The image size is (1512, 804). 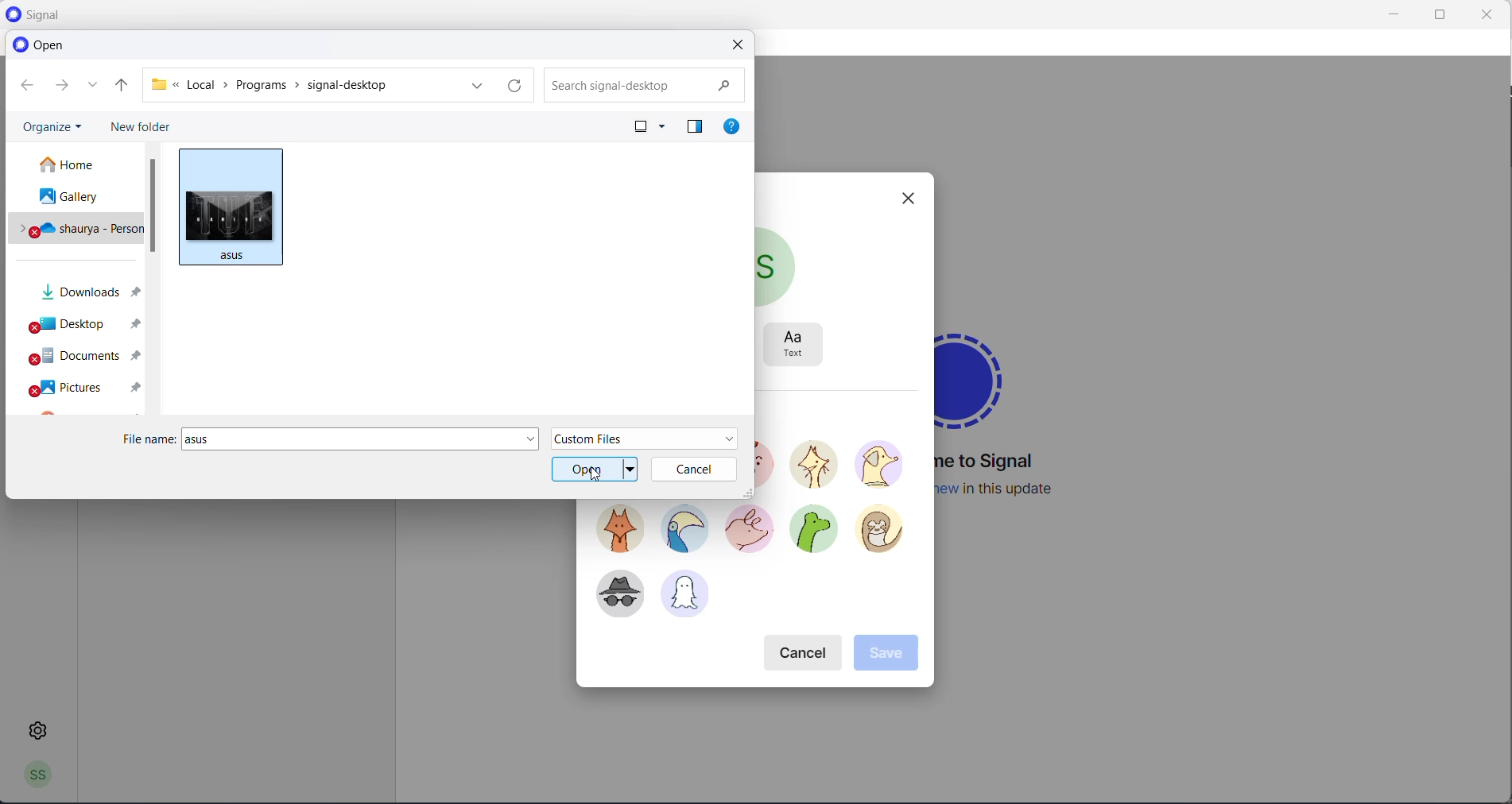 What do you see at coordinates (993, 462) in the screenshot?
I see `welcome message` at bounding box center [993, 462].